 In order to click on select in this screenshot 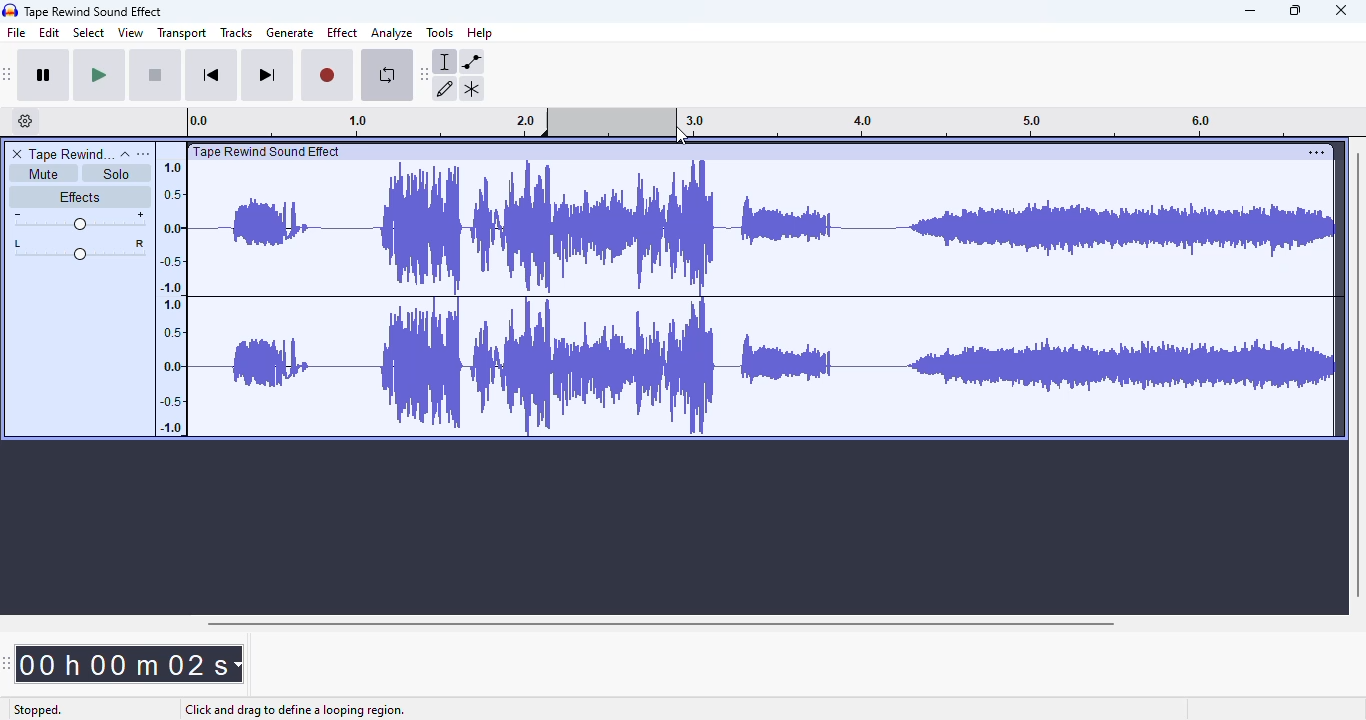, I will do `click(89, 33)`.